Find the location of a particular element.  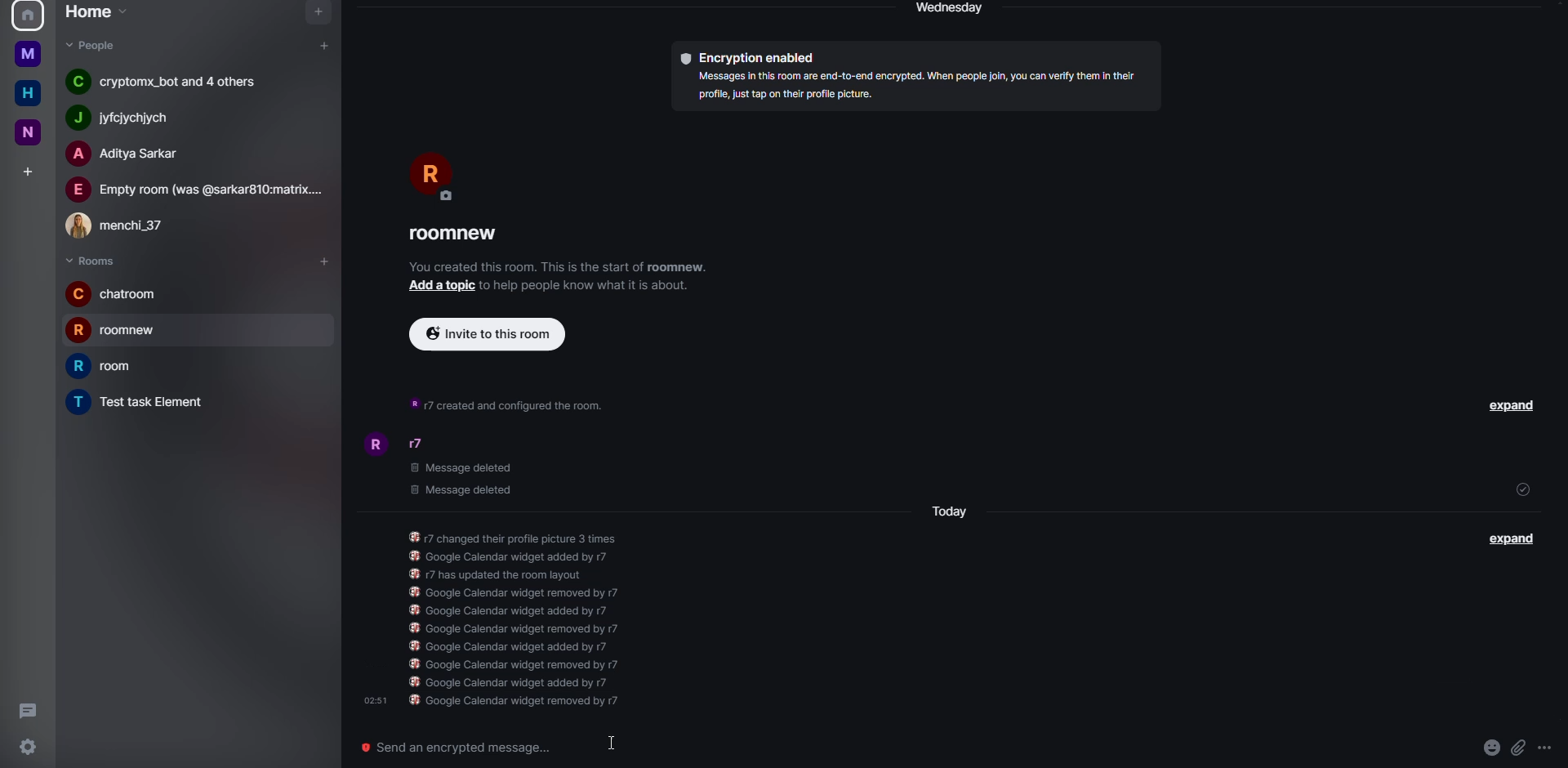

expand is located at coordinates (1510, 542).